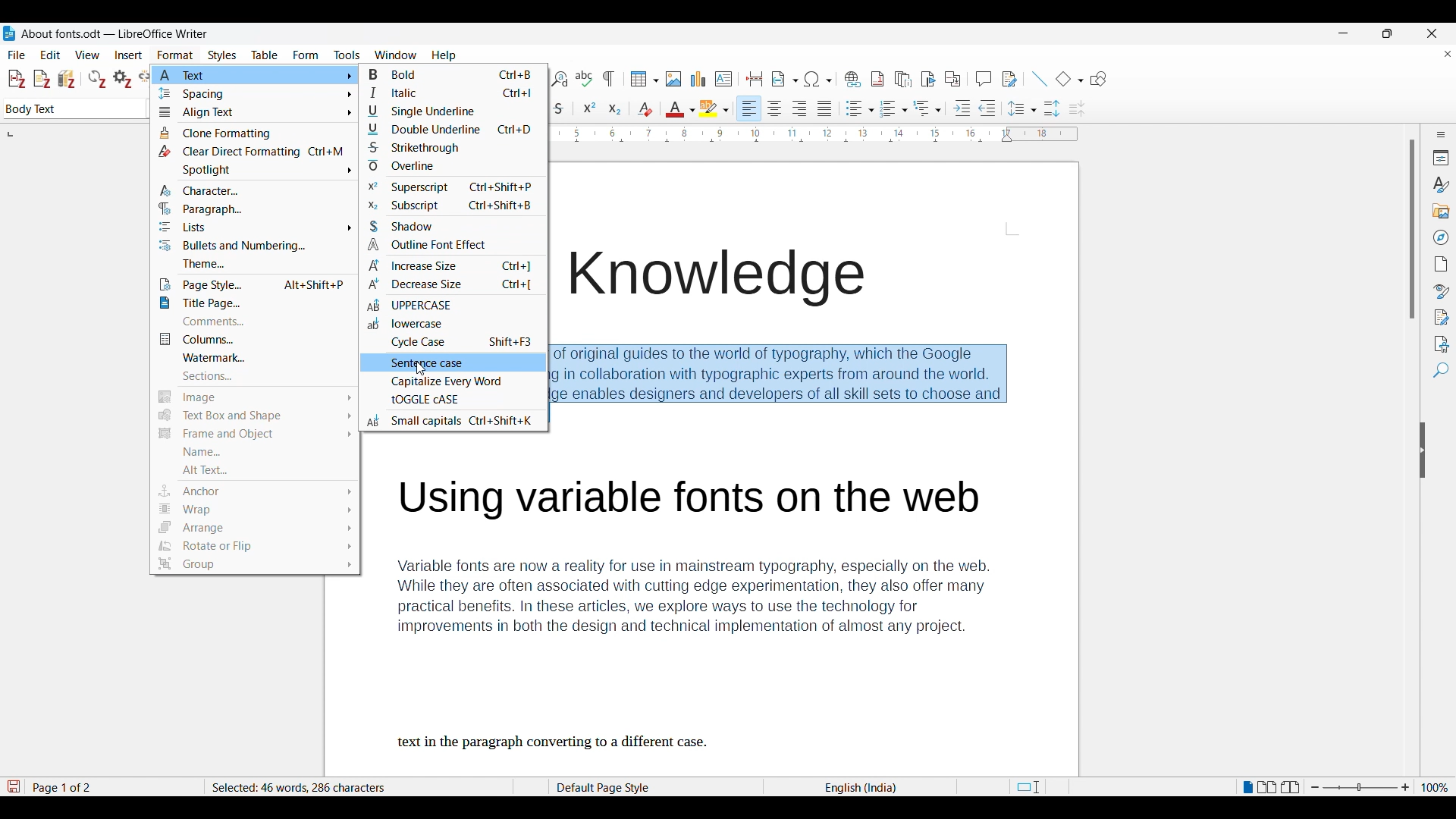  I want to click on File menu, so click(17, 55).